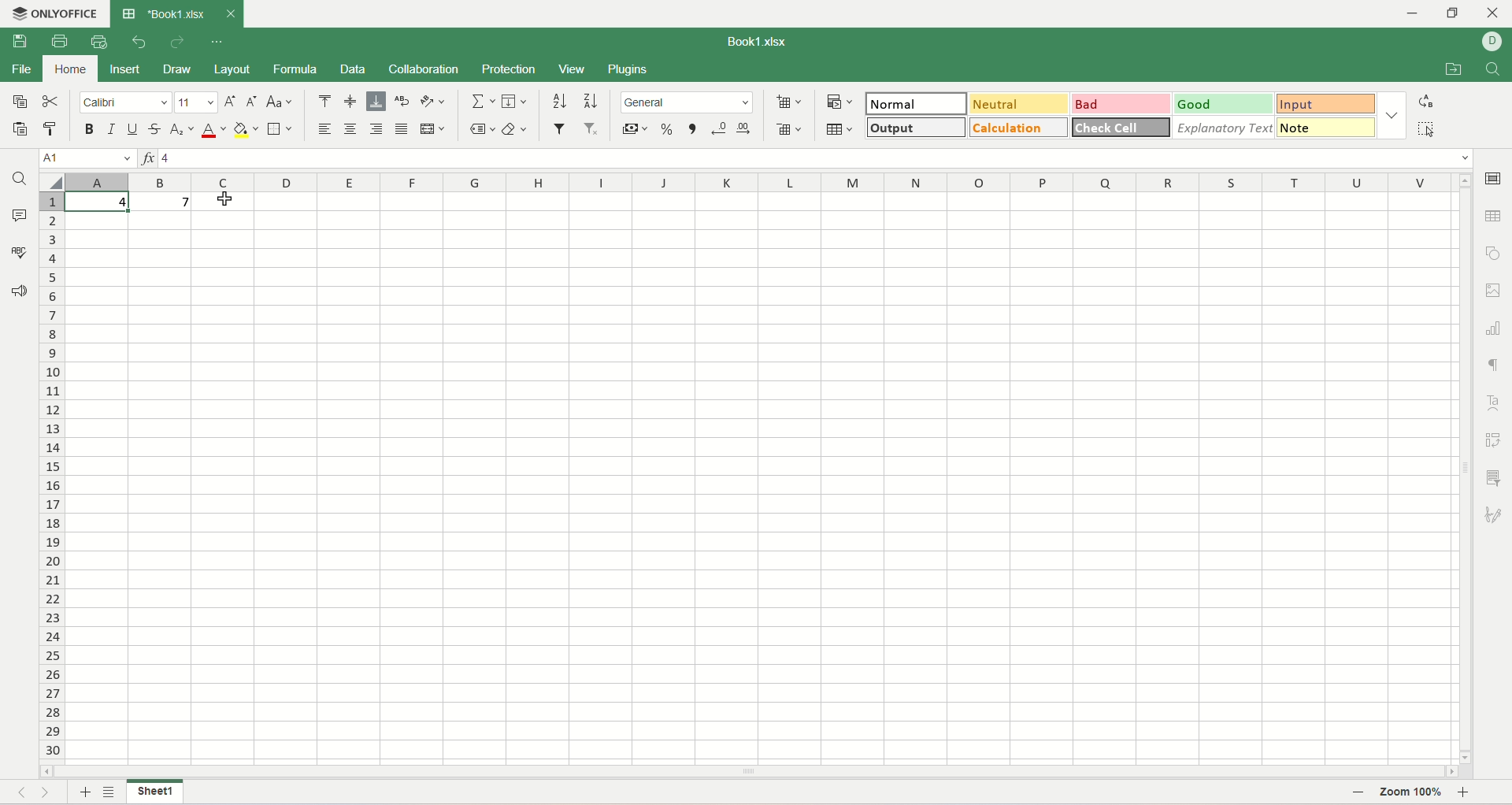  I want to click on chart settiings, so click(1494, 325).